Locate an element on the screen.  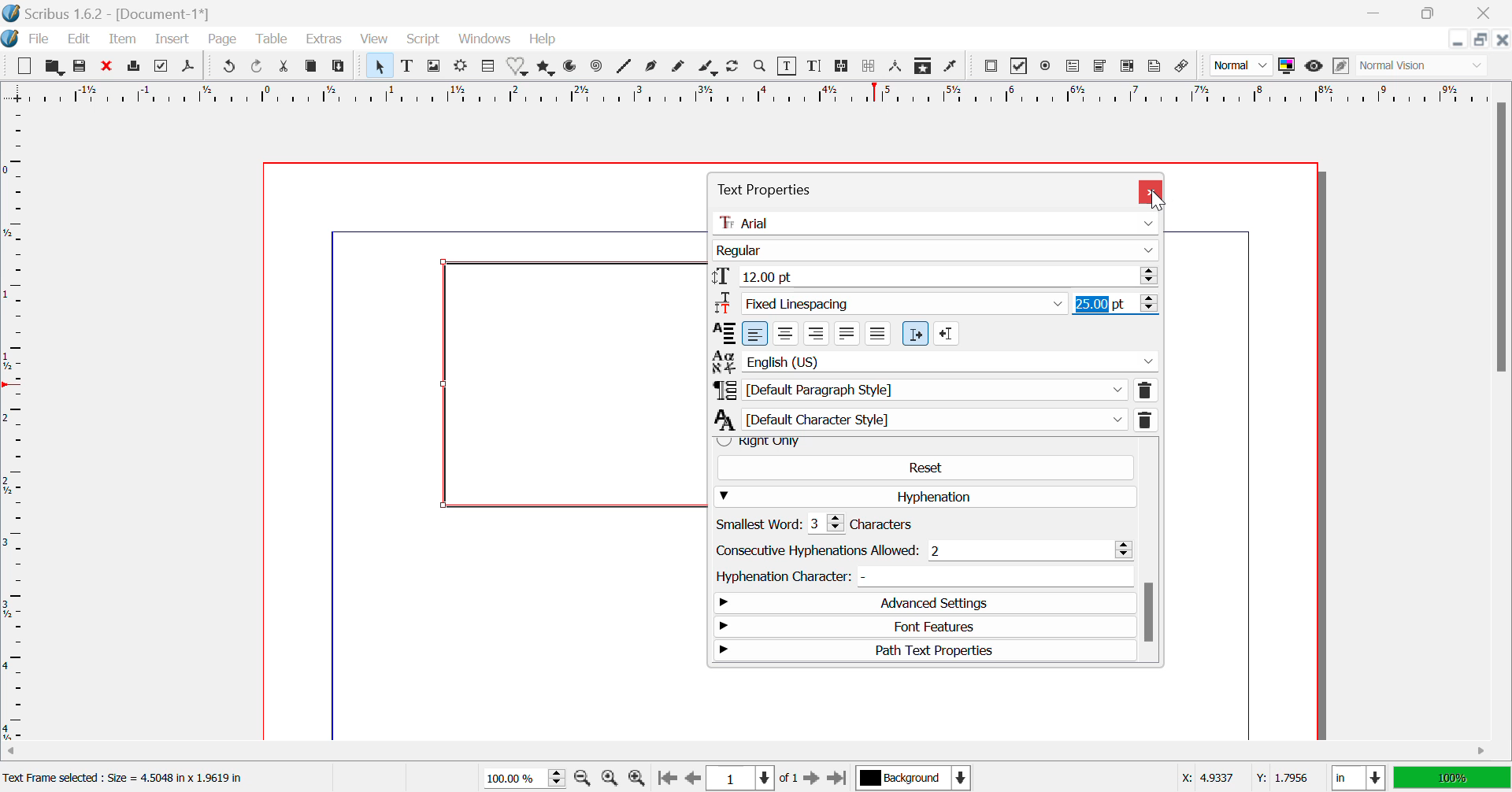
Zoom In is located at coordinates (636, 779).